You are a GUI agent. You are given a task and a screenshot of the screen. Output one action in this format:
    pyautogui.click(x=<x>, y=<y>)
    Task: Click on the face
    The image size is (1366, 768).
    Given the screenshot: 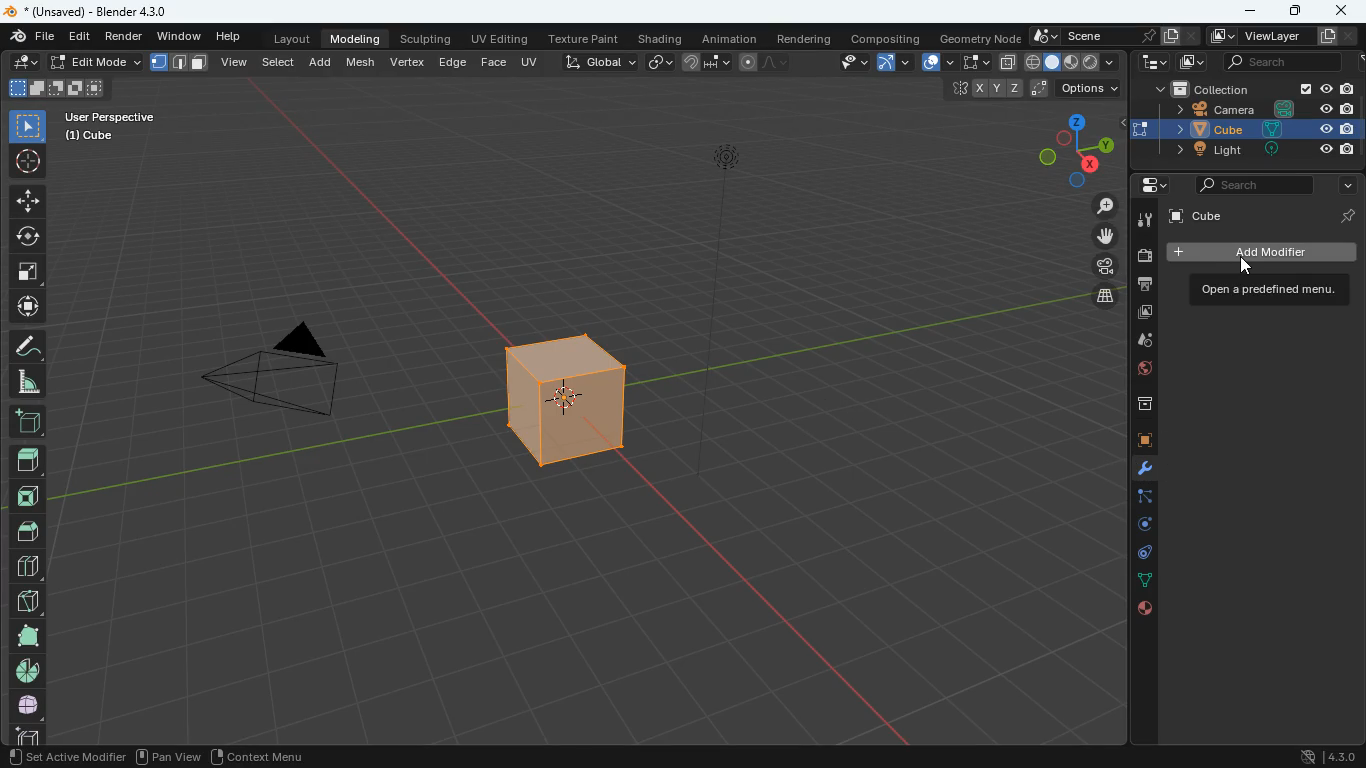 What is the action you would take?
    pyautogui.click(x=493, y=61)
    